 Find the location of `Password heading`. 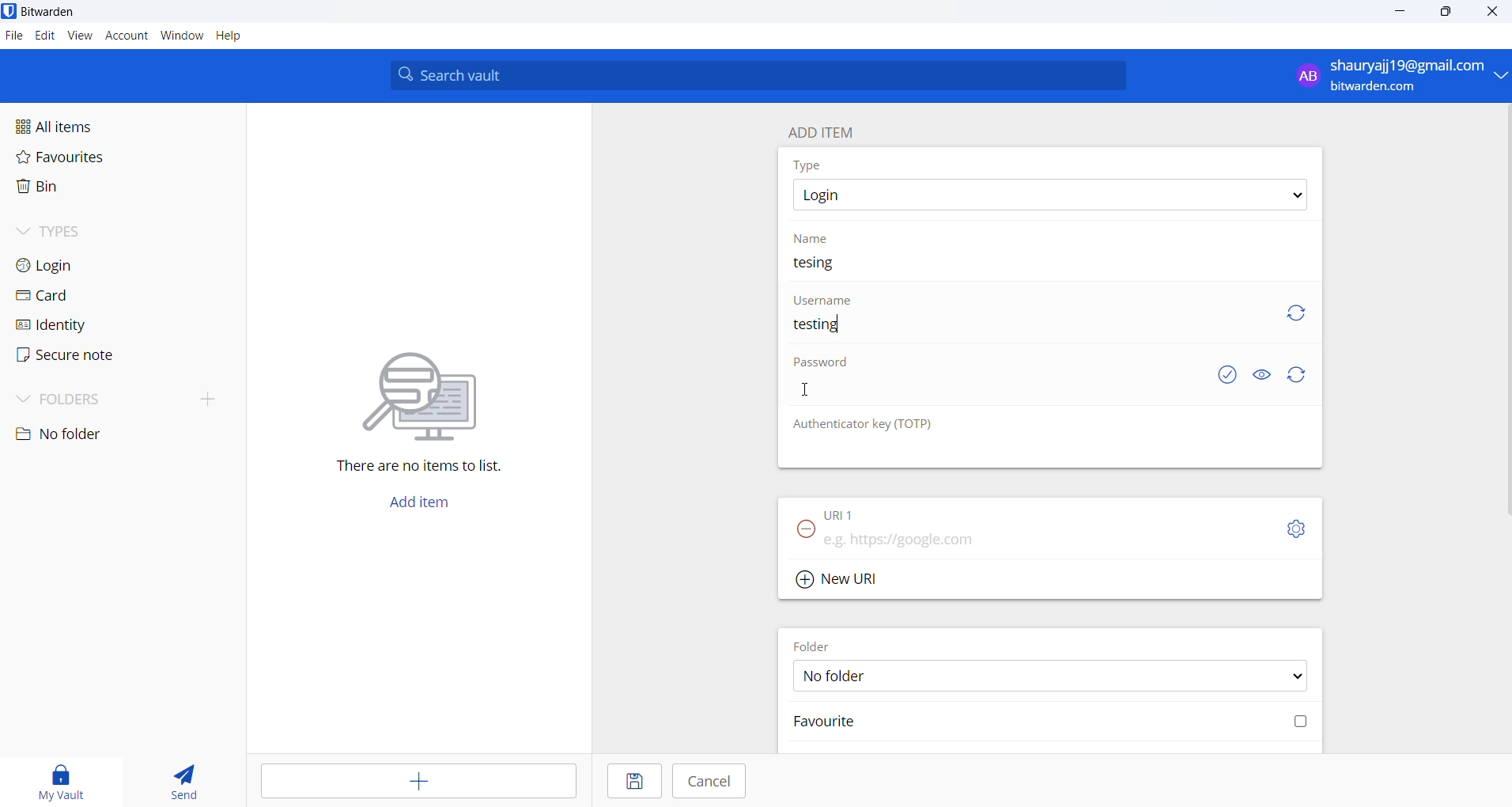

Password heading is located at coordinates (826, 366).